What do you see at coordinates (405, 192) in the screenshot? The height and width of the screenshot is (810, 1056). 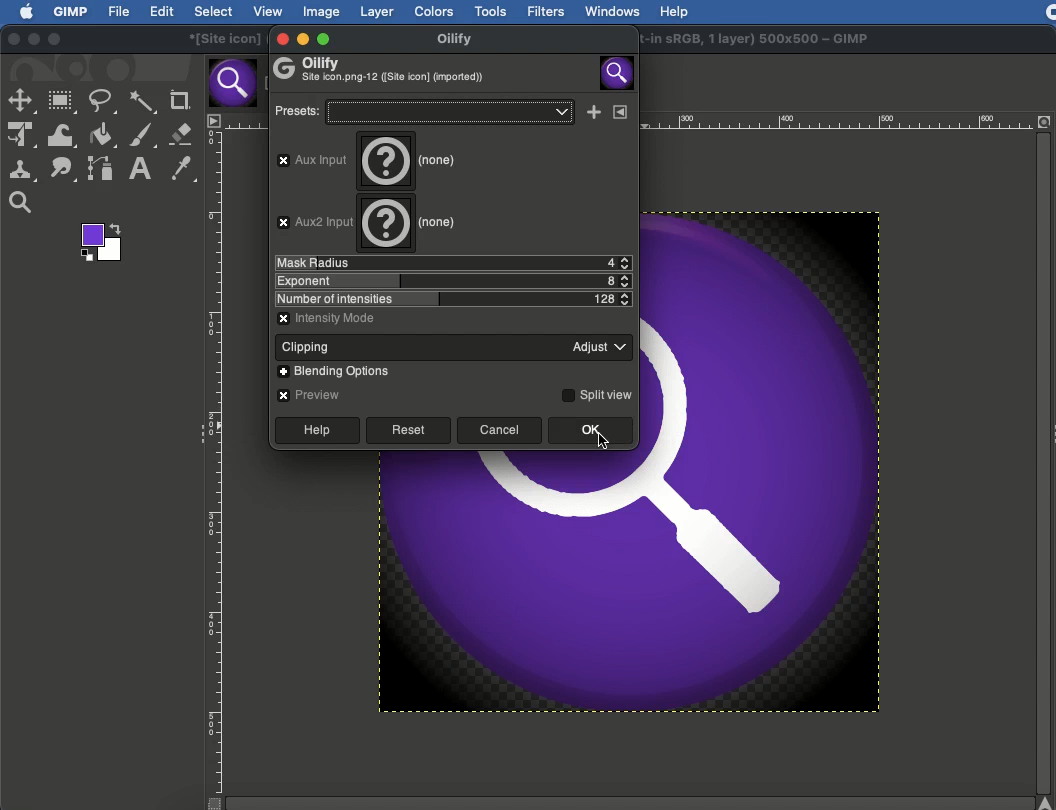 I see `None` at bounding box center [405, 192].